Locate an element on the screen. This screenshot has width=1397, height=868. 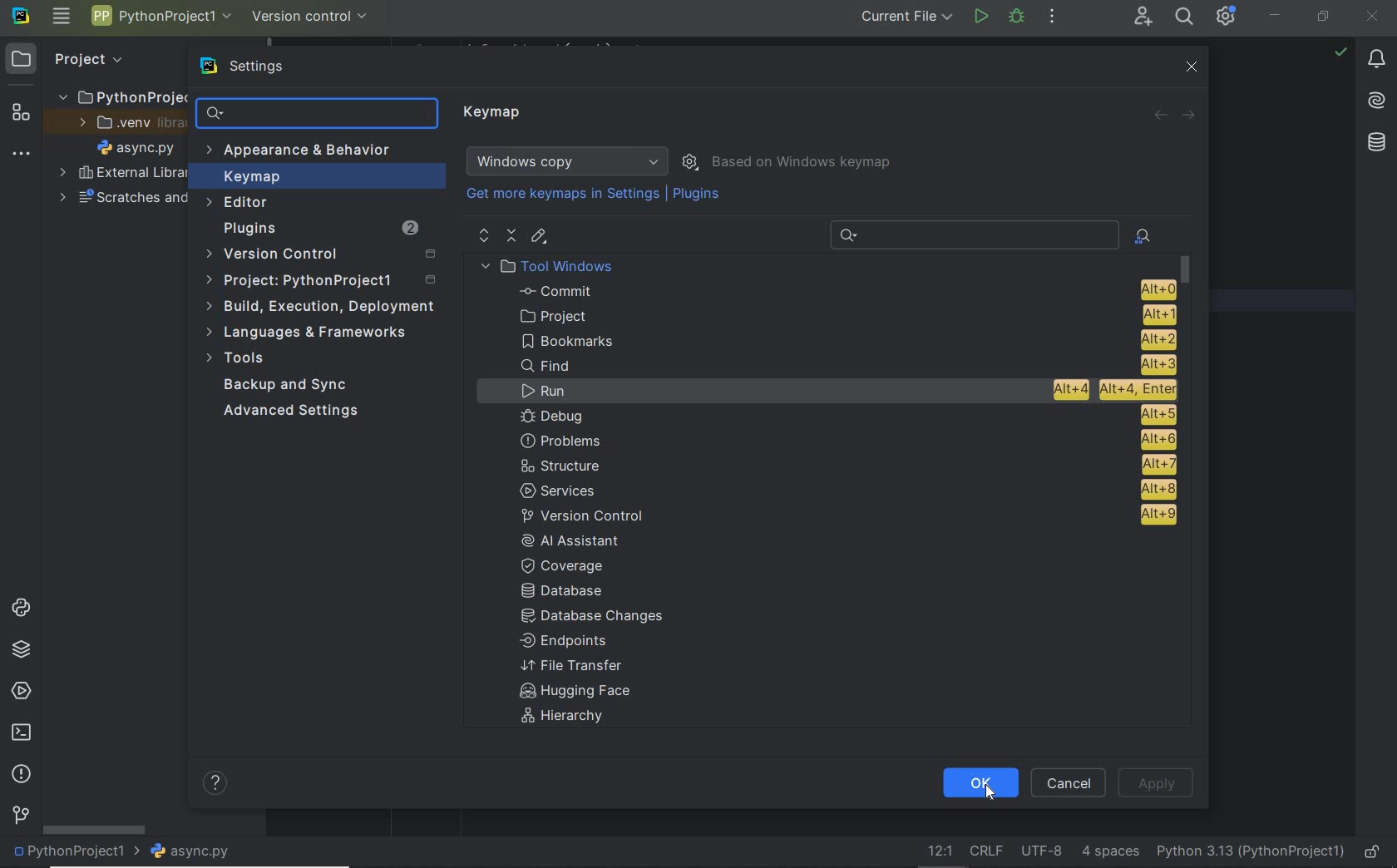
Plugins is located at coordinates (698, 195).